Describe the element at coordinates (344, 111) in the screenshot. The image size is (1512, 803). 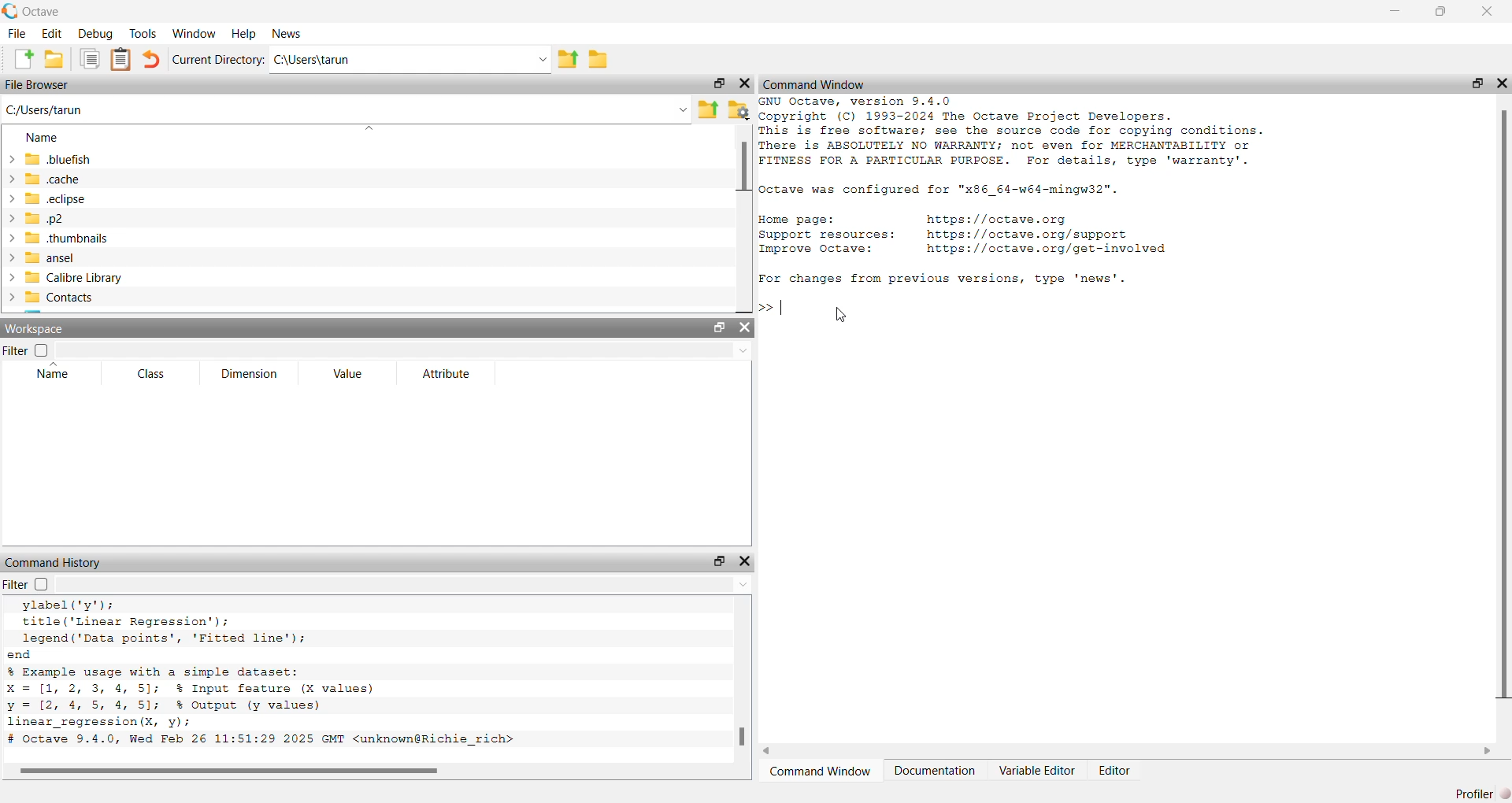
I see `enter the path or filename` at that location.